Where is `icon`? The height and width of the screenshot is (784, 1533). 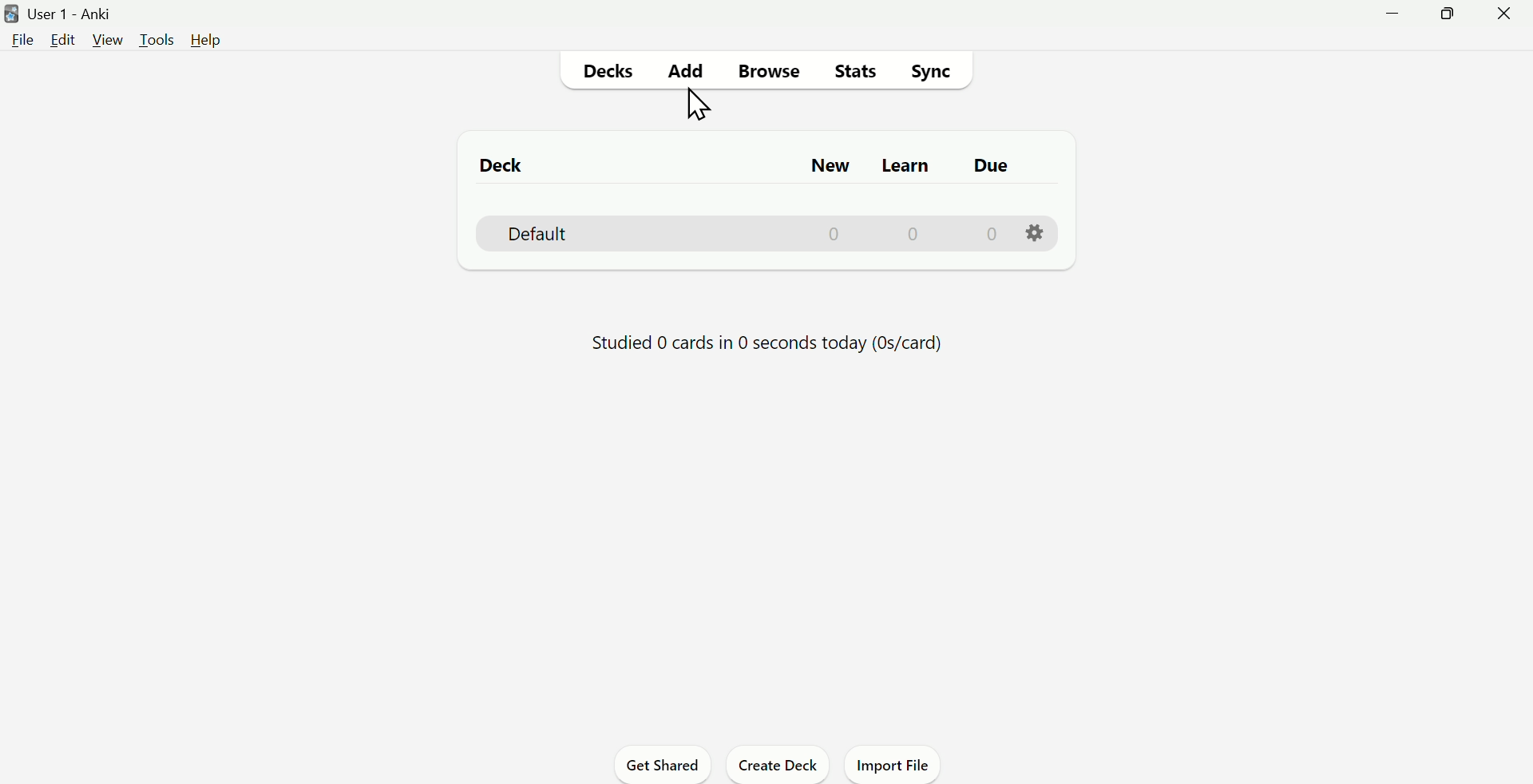
icon is located at coordinates (10, 12).